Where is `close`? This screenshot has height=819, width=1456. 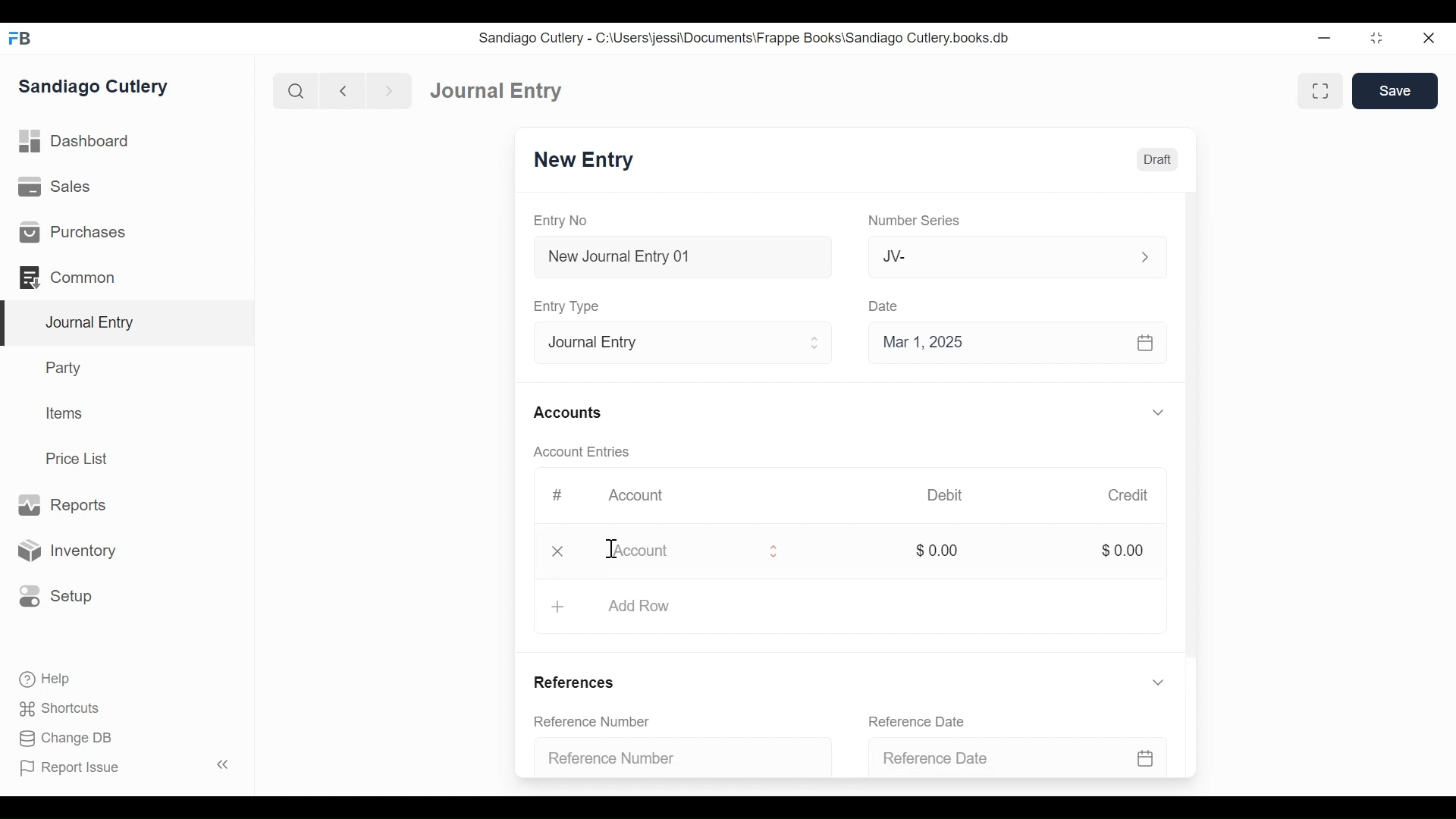
close is located at coordinates (1434, 36).